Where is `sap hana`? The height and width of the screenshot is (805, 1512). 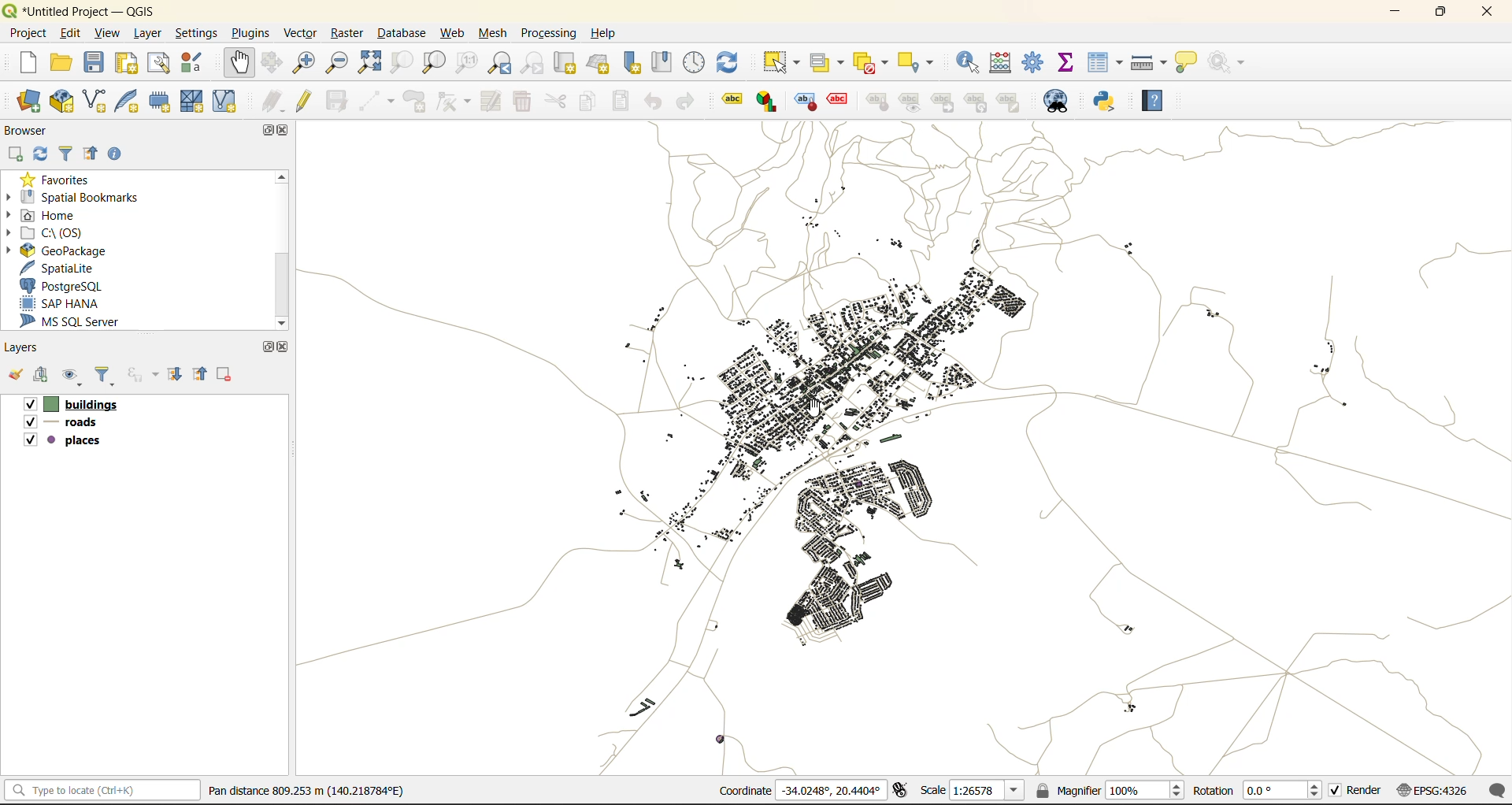
sap hana is located at coordinates (65, 304).